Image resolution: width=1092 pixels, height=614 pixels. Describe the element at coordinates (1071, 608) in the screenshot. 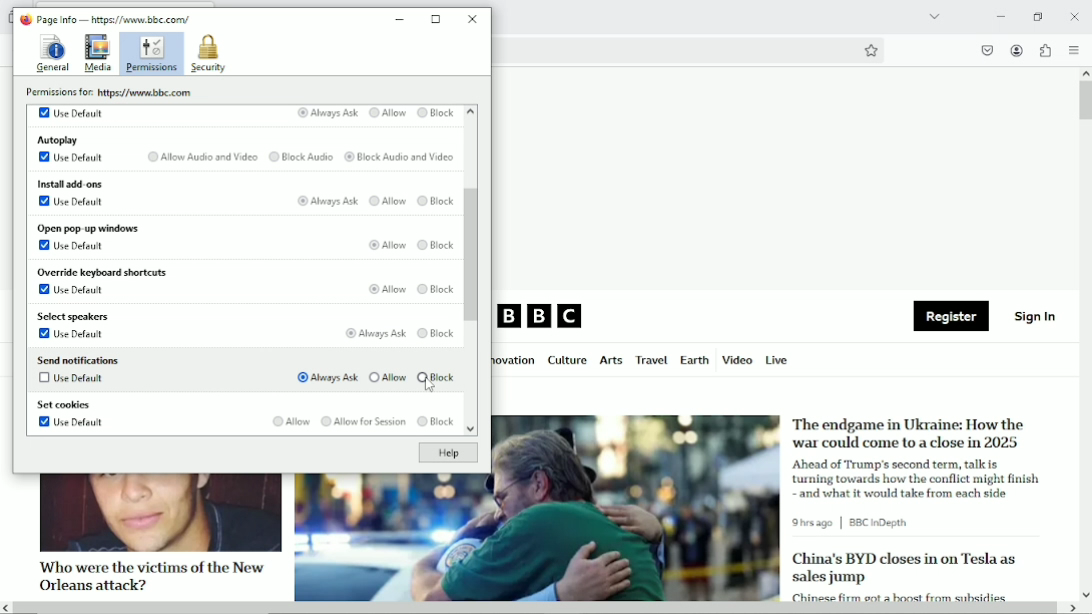

I see `scroll right` at that location.